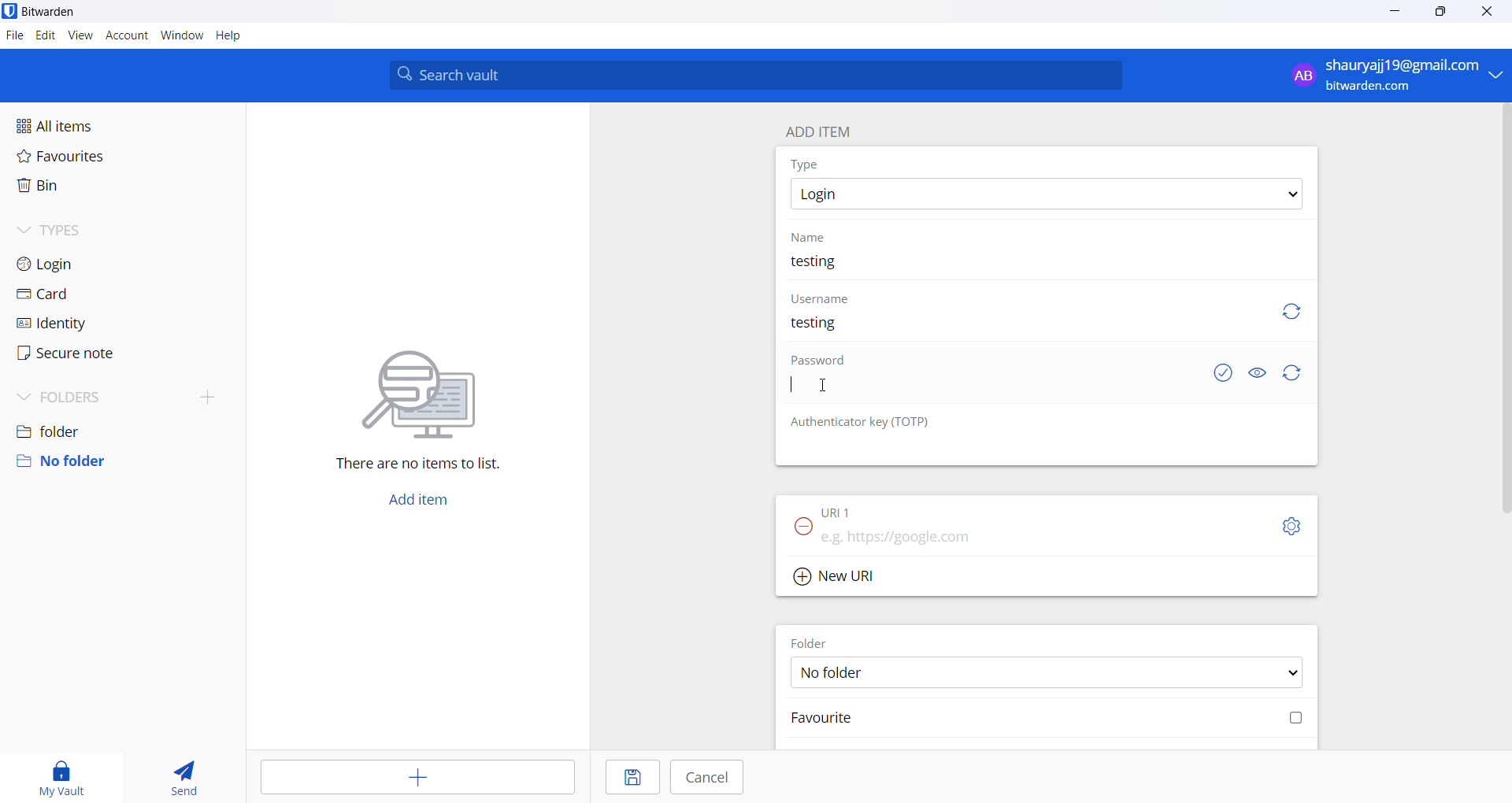  What do you see at coordinates (865, 422) in the screenshot?
I see `OTP heading: Authenticator key (TOTP)` at bounding box center [865, 422].